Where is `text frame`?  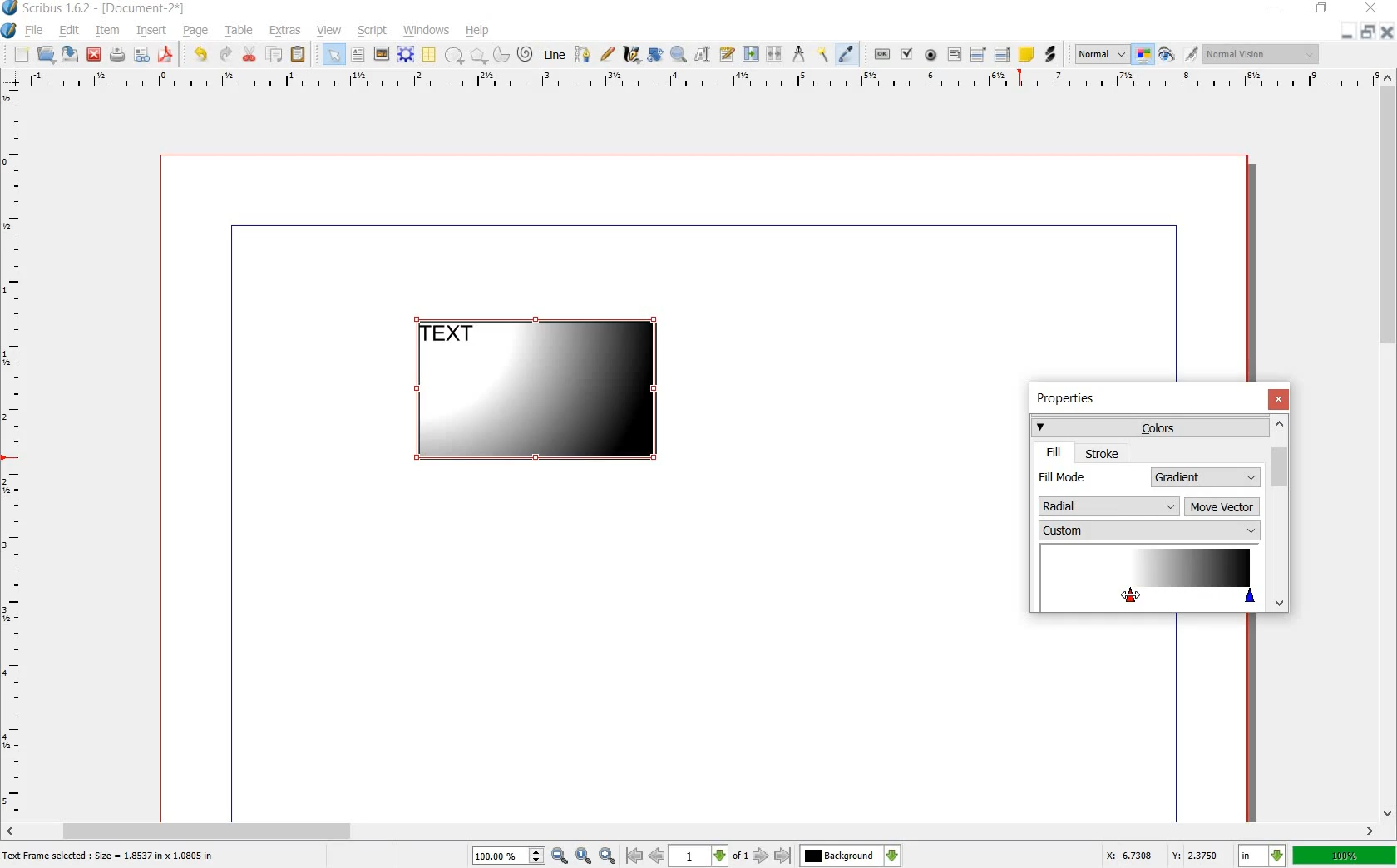
text frame is located at coordinates (357, 55).